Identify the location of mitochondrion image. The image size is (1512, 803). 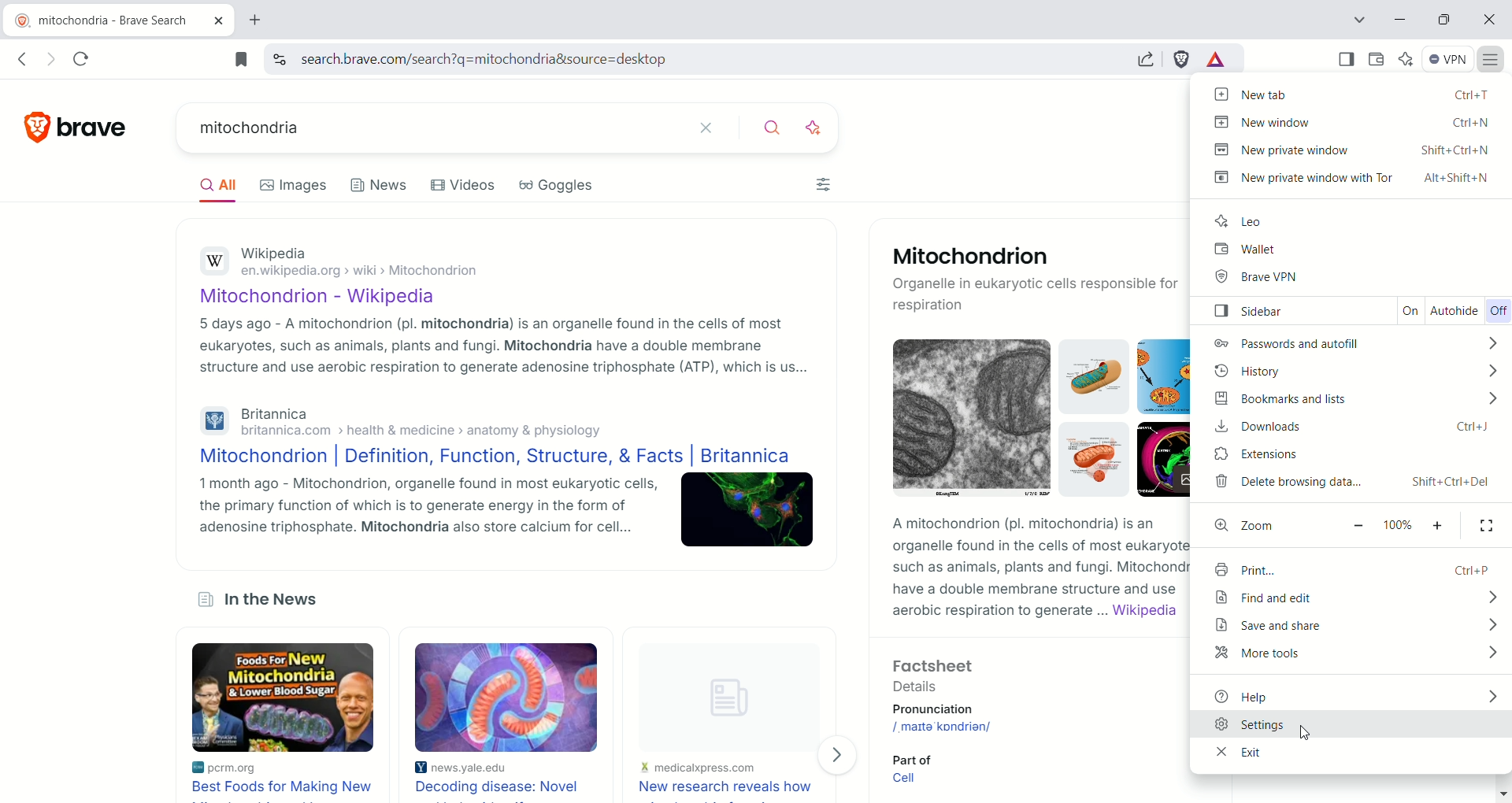
(764, 509).